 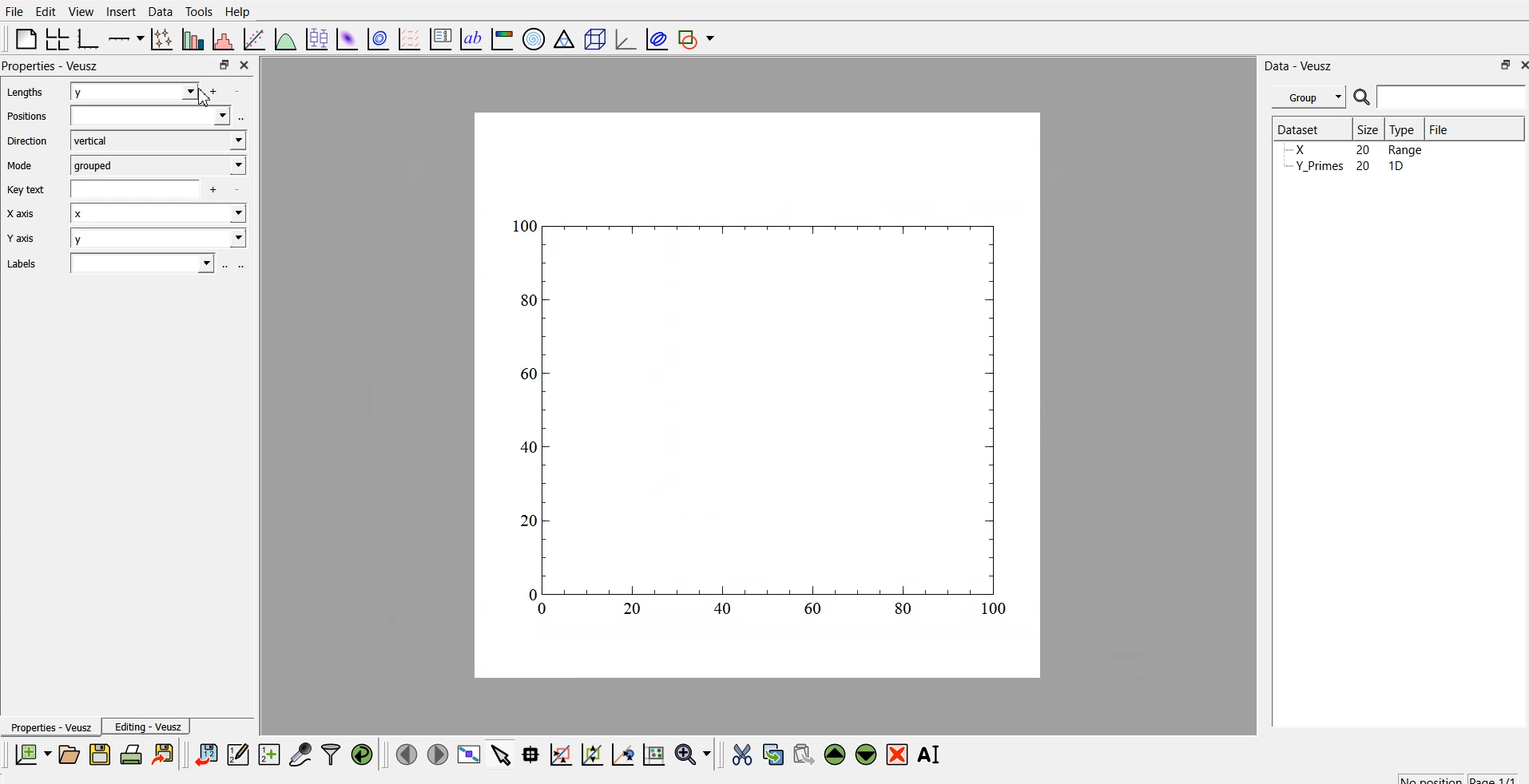 I want to click on remove the selected widget, so click(x=900, y=754).